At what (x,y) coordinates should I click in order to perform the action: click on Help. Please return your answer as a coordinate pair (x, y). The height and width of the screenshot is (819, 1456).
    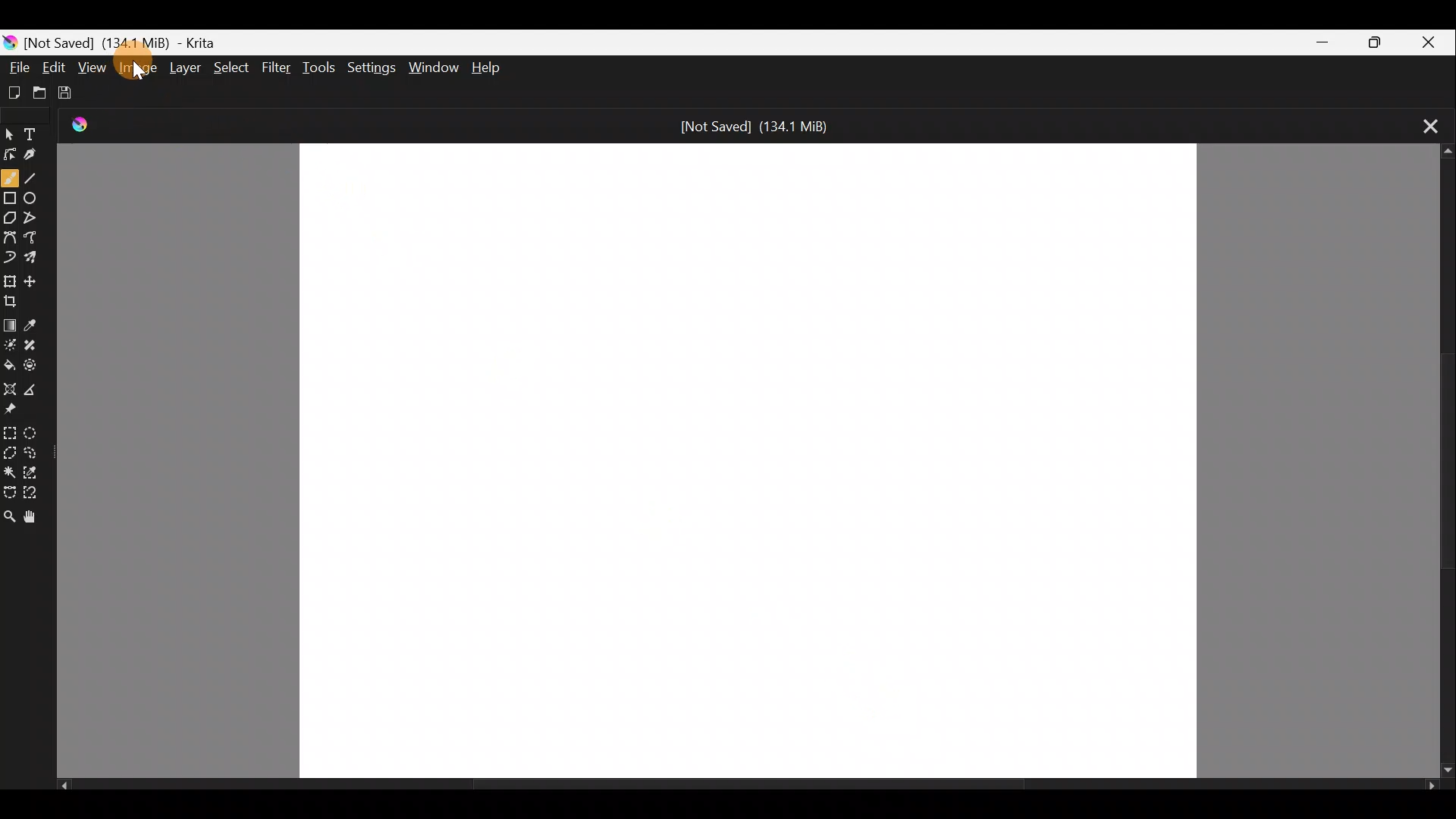
    Looking at the image, I should click on (491, 67).